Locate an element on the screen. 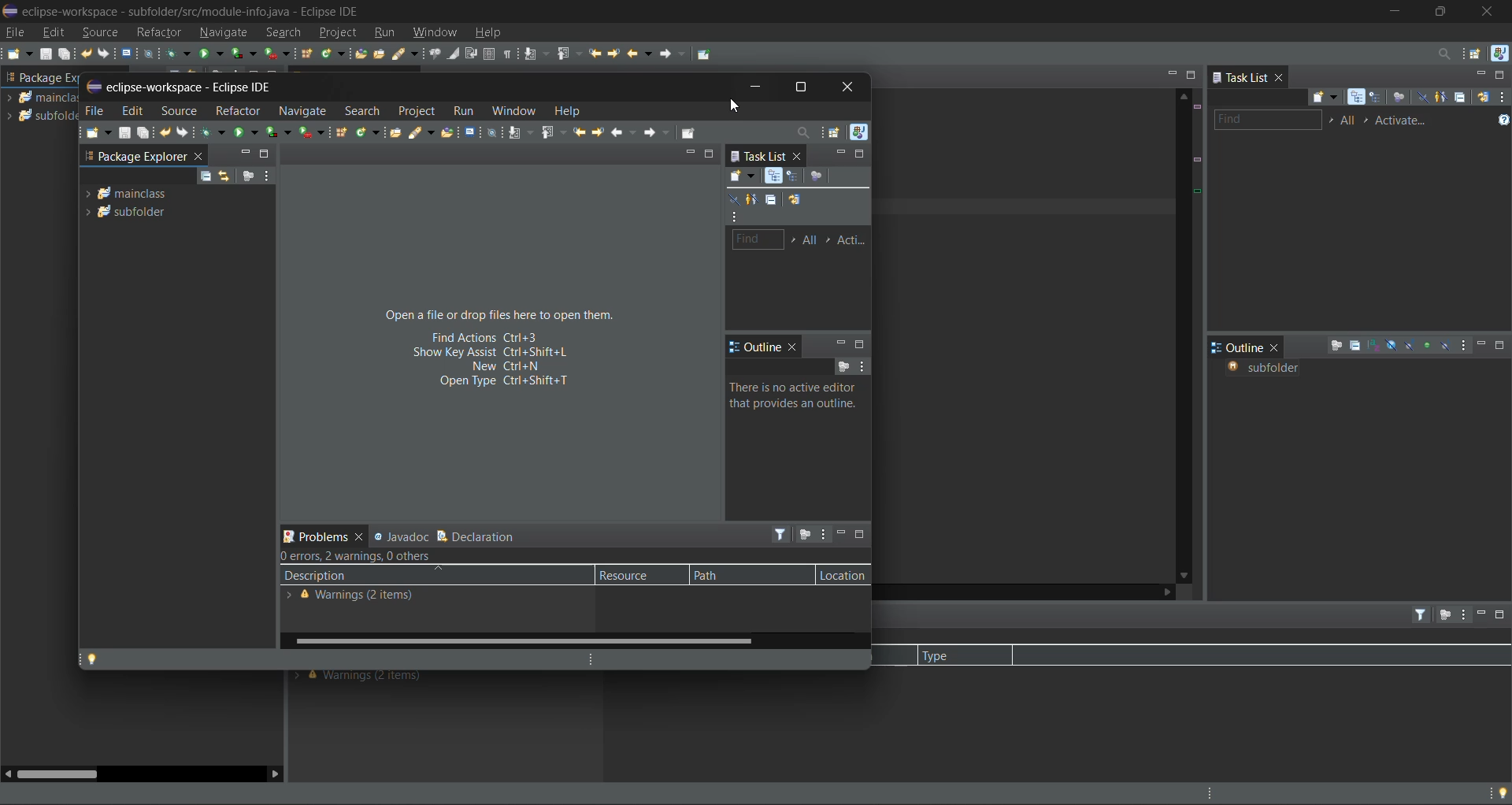  view menu is located at coordinates (734, 218).